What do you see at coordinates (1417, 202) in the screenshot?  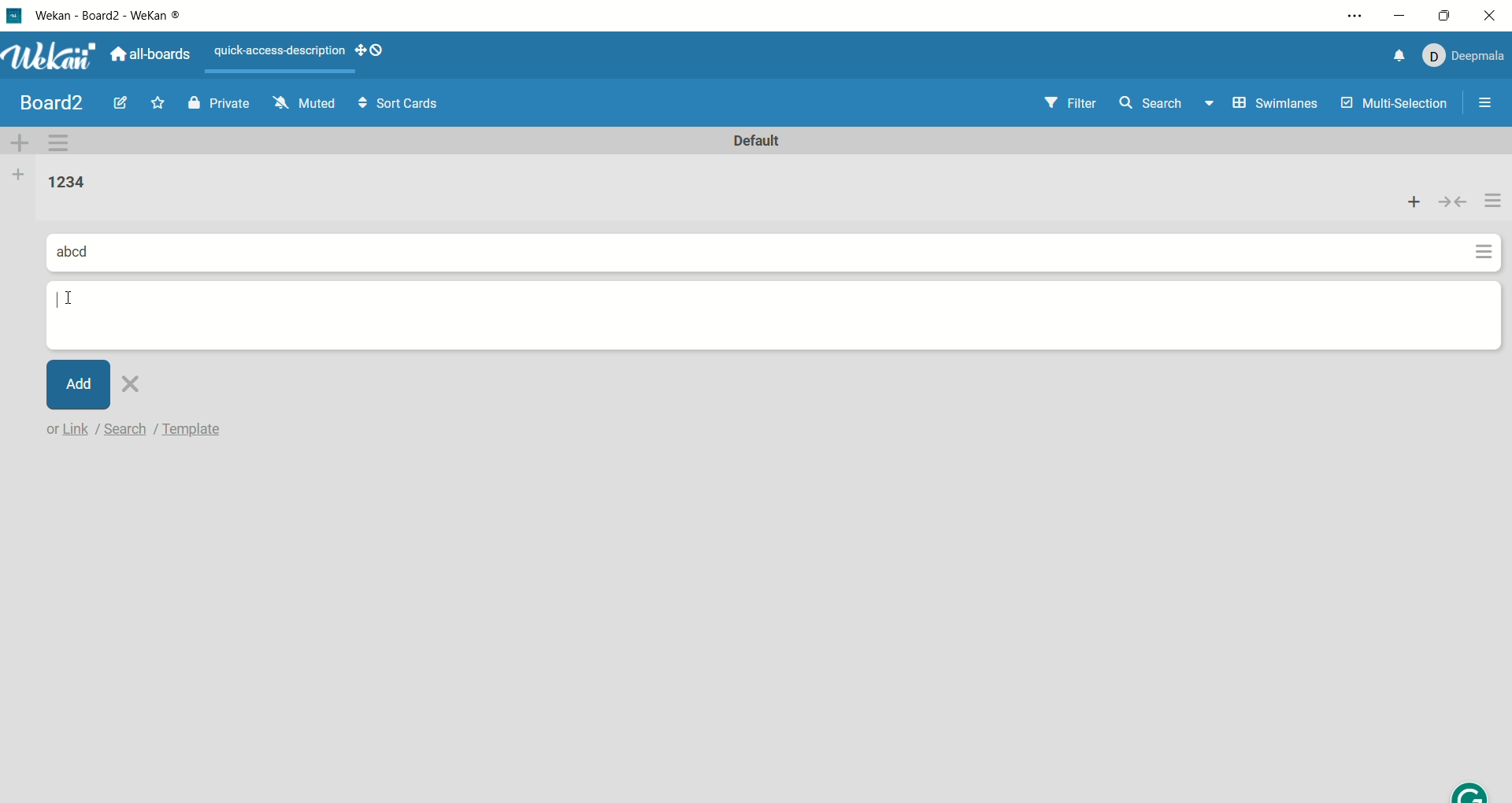 I see `add` at bounding box center [1417, 202].